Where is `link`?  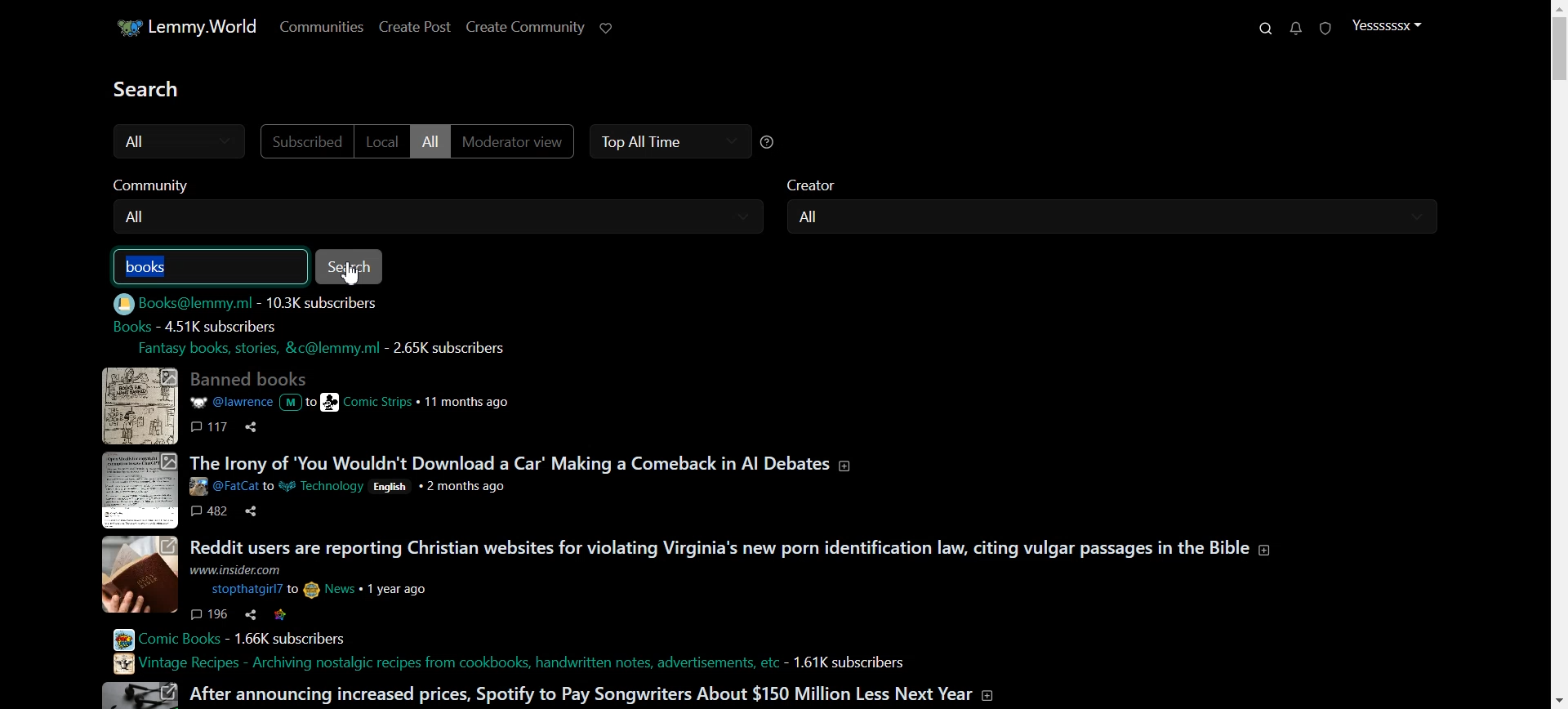 link is located at coordinates (282, 615).